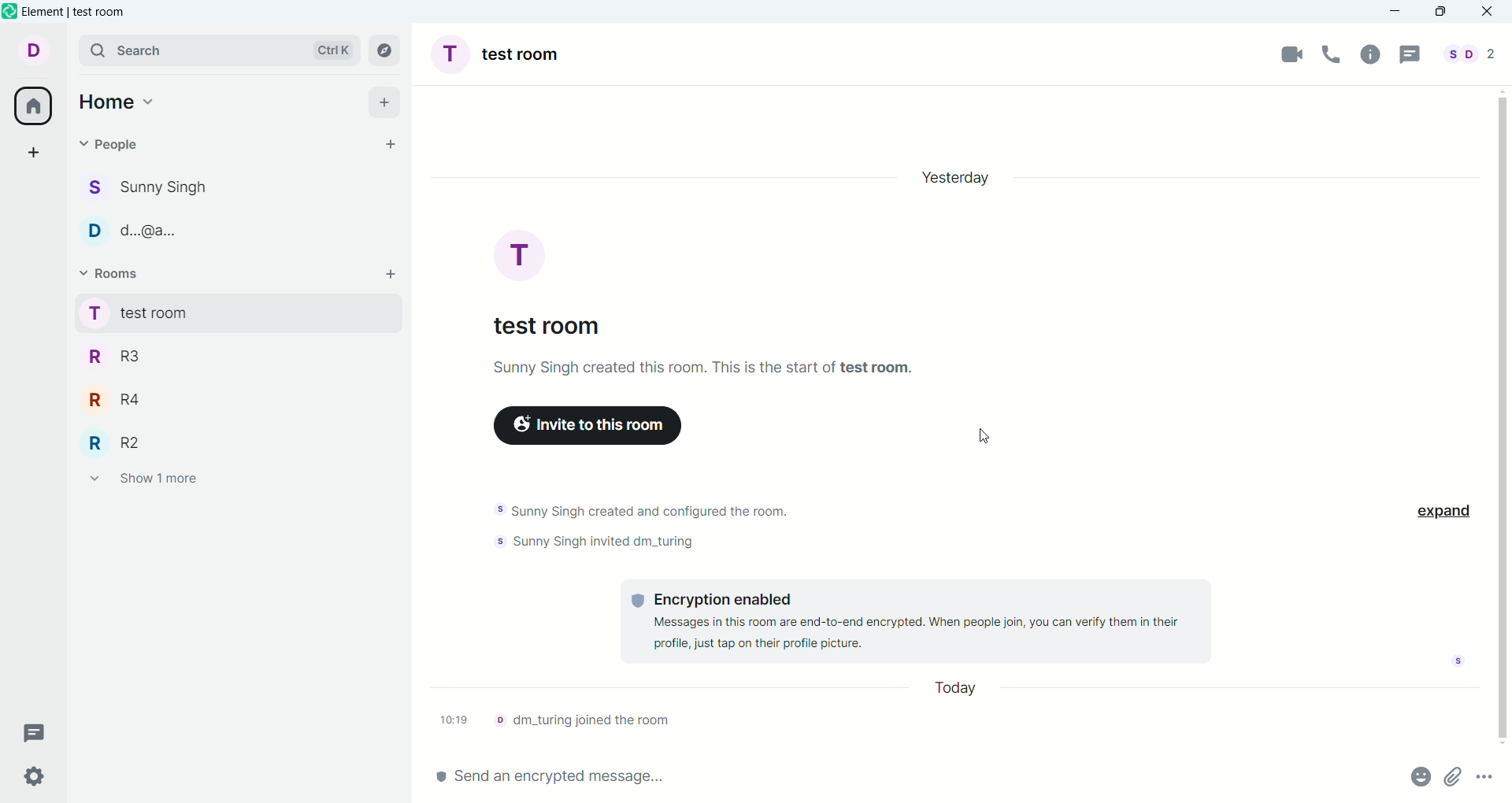  Describe the element at coordinates (503, 54) in the screenshot. I see `room` at that location.